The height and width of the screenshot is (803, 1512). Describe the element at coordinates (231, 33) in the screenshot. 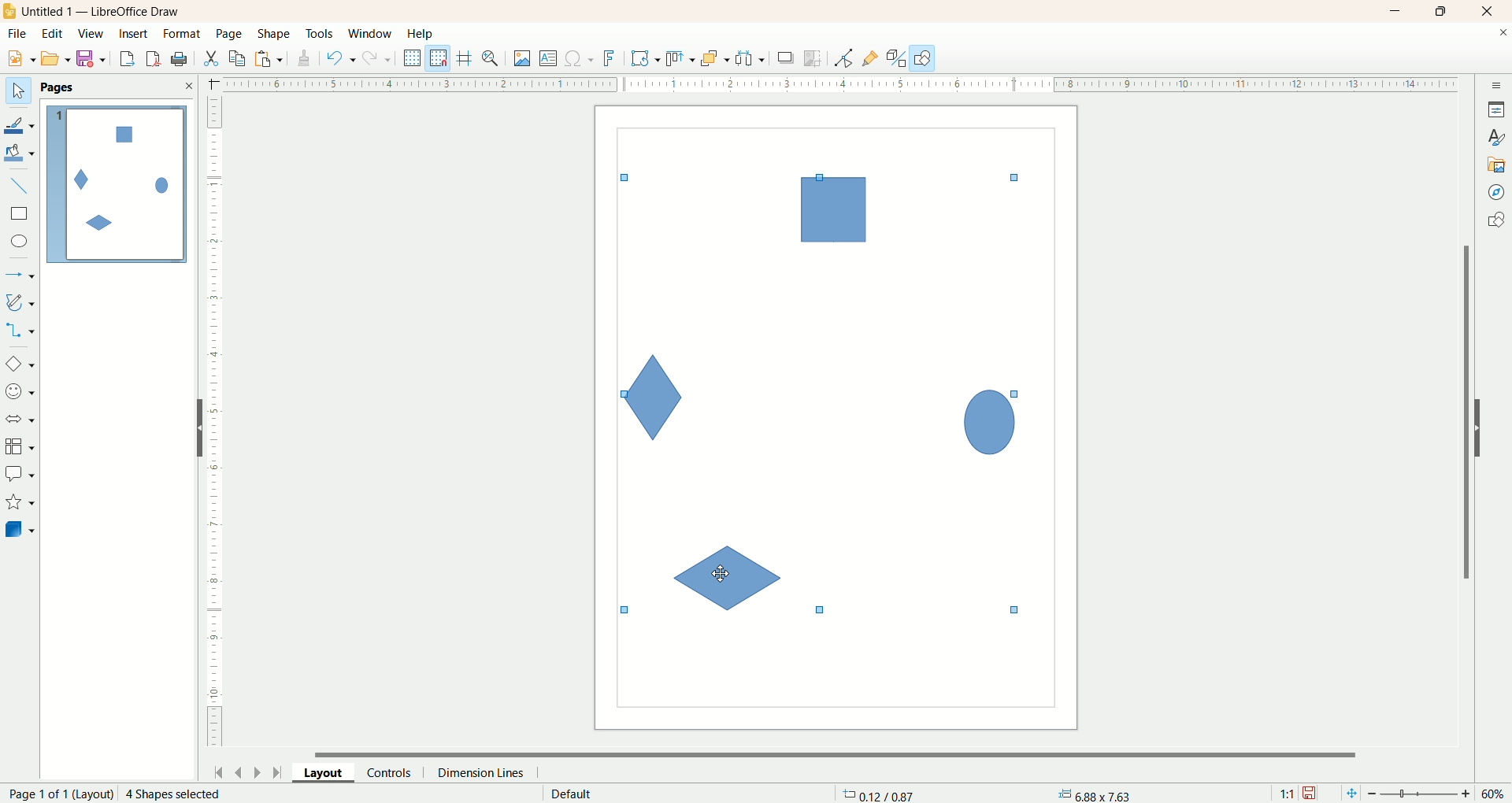

I see `page` at that location.